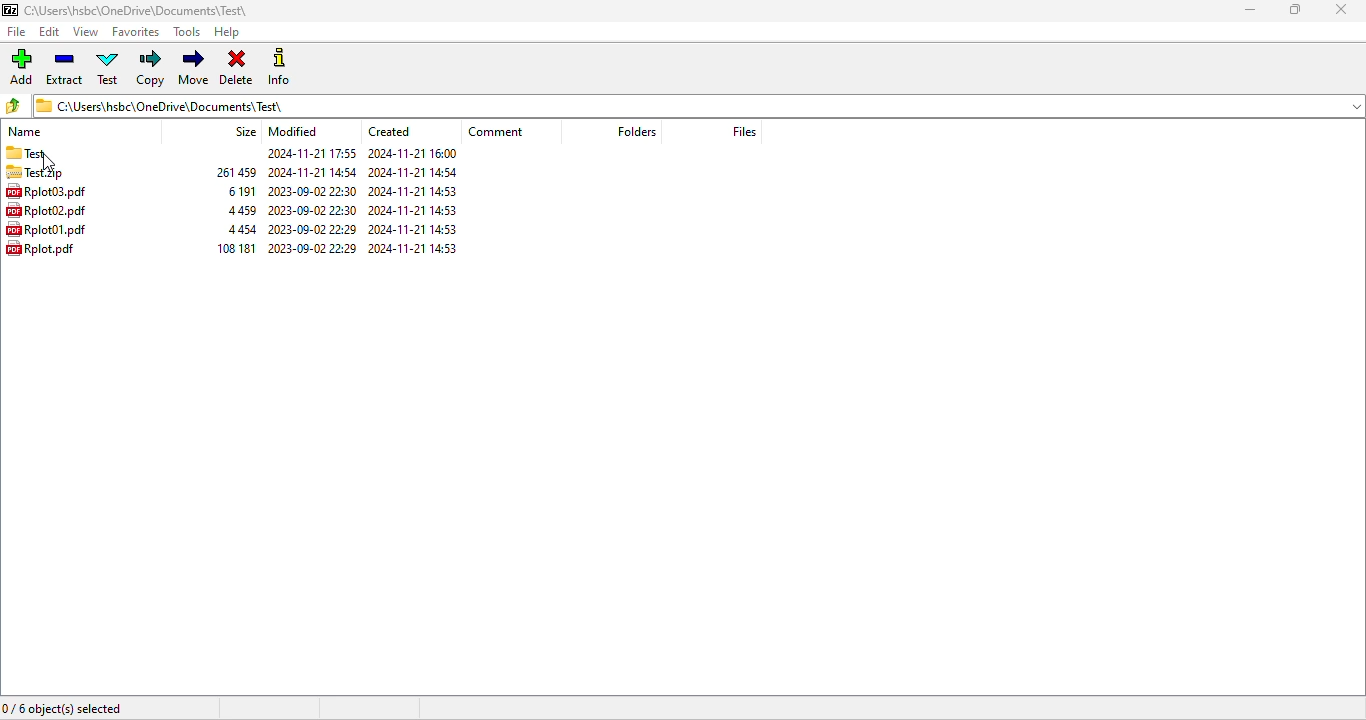  Describe the element at coordinates (314, 229) in the screenshot. I see `2023-09-02 22:29` at that location.